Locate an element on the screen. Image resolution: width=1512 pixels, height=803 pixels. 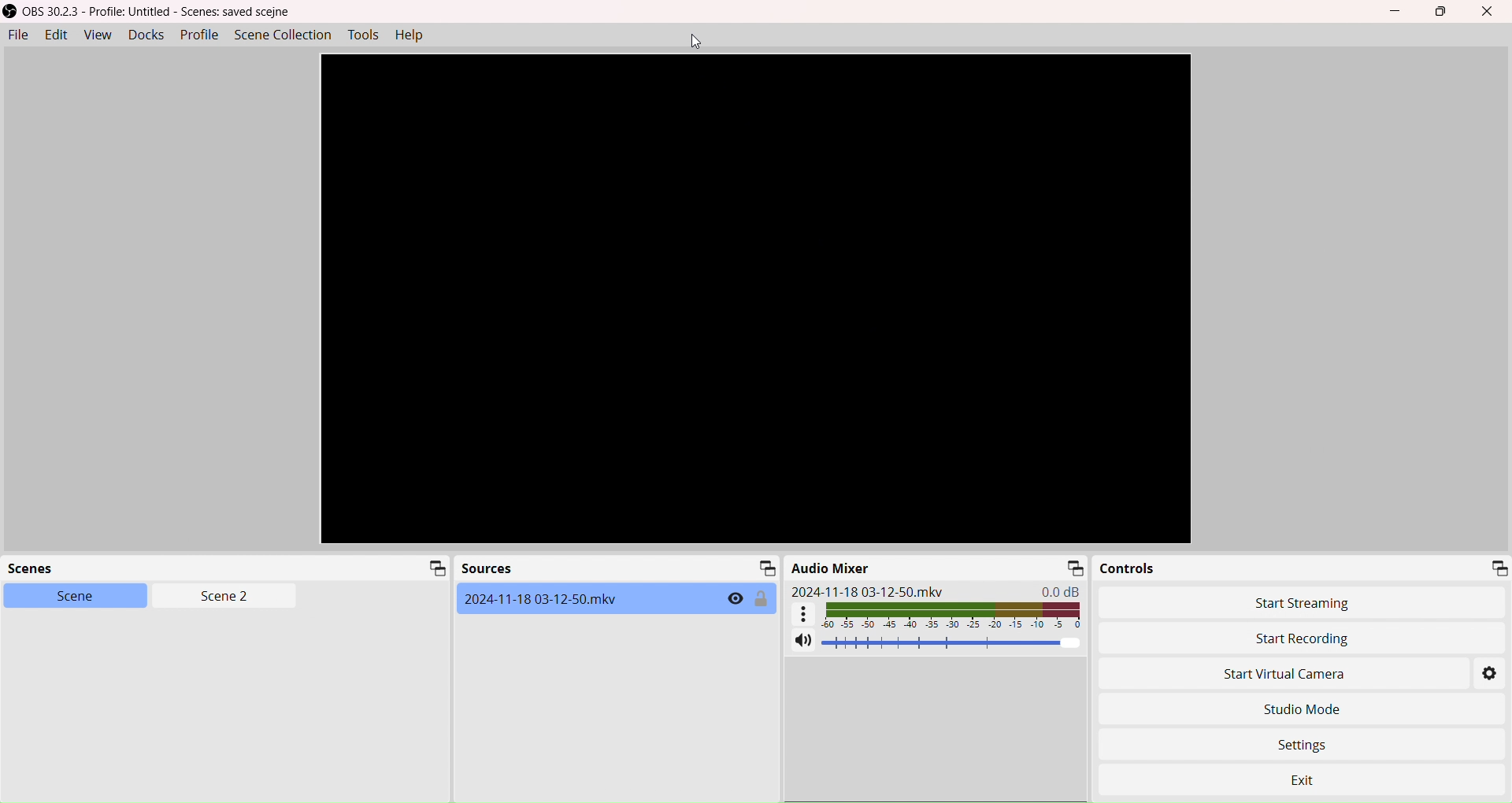
Expand is located at coordinates (433, 569).